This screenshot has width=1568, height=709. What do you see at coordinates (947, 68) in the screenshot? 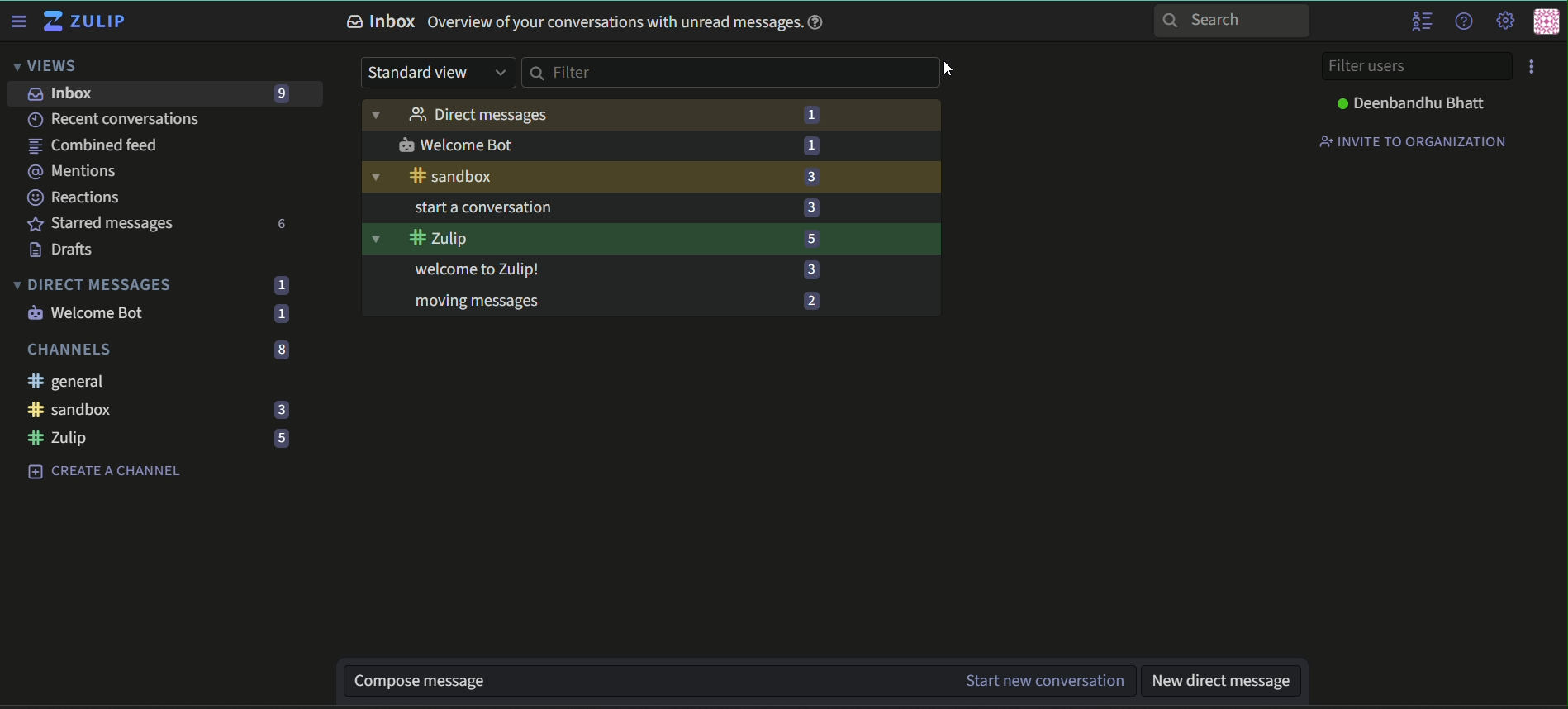
I see `cursor` at bounding box center [947, 68].